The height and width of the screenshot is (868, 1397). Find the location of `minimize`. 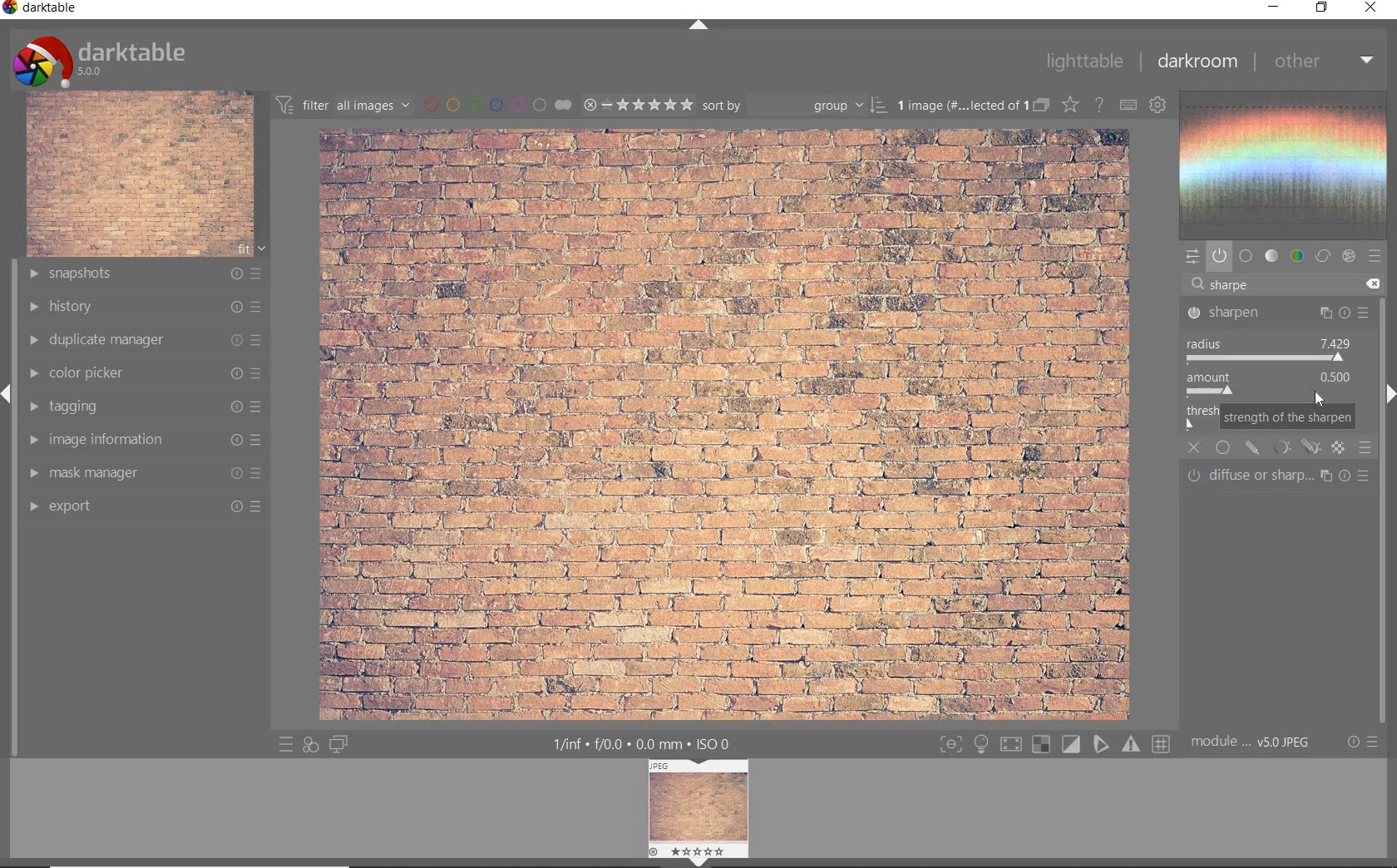

minimize is located at coordinates (1271, 6).